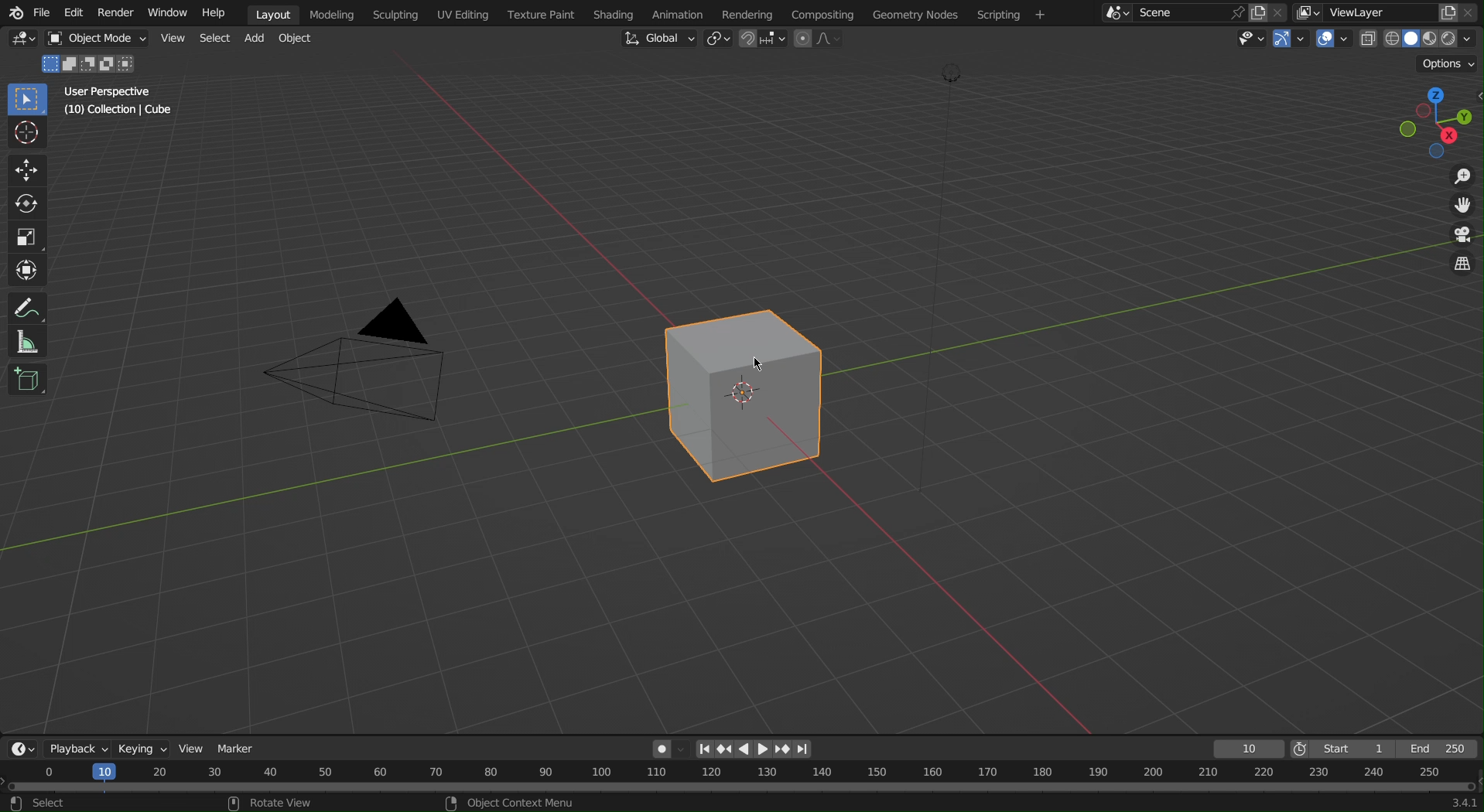  Describe the element at coordinates (918, 13) in the screenshot. I see `Geometry Nodes` at that location.